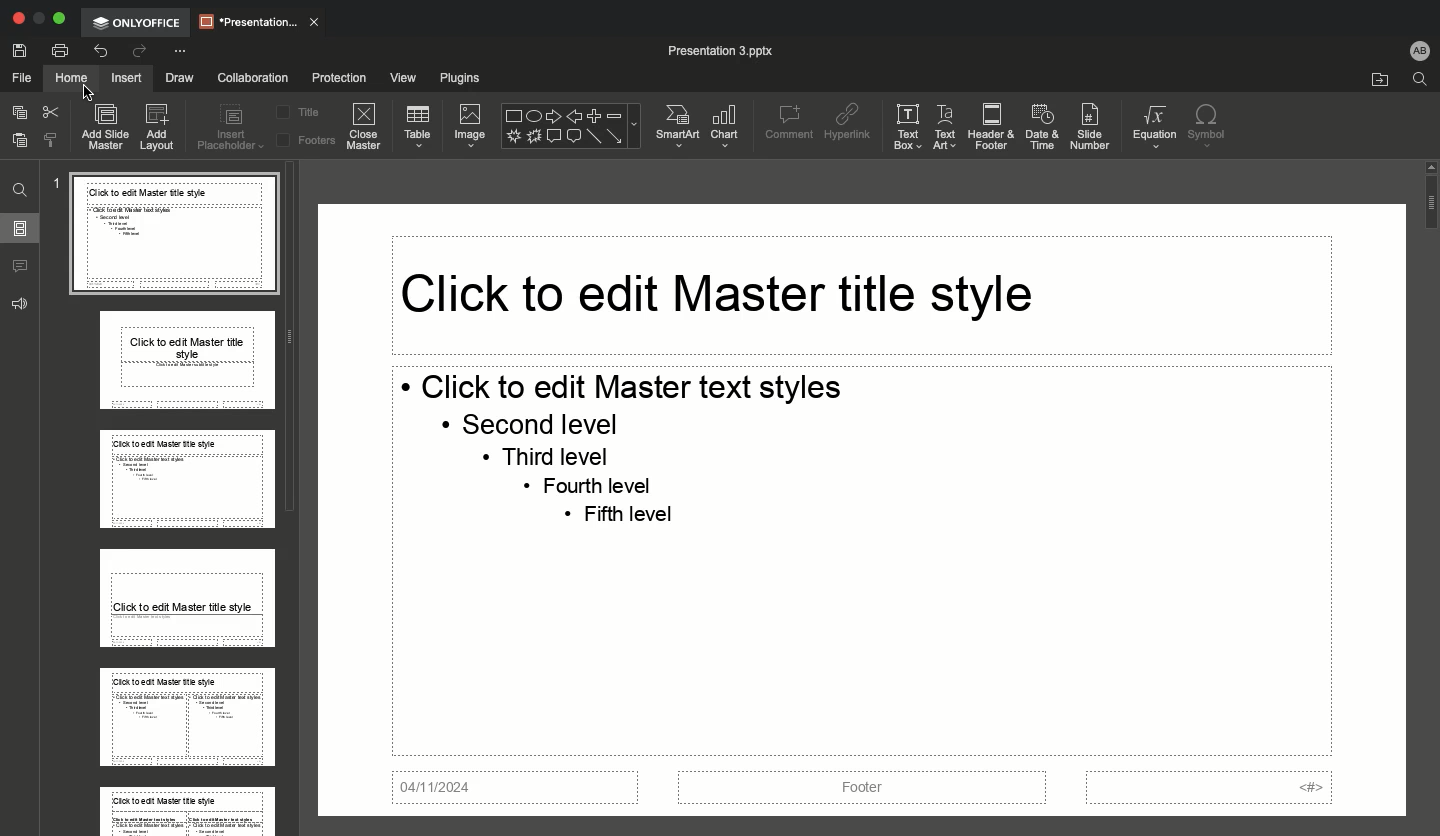 The image size is (1440, 836). I want to click on Click to edit Master title style, so click(715, 293).